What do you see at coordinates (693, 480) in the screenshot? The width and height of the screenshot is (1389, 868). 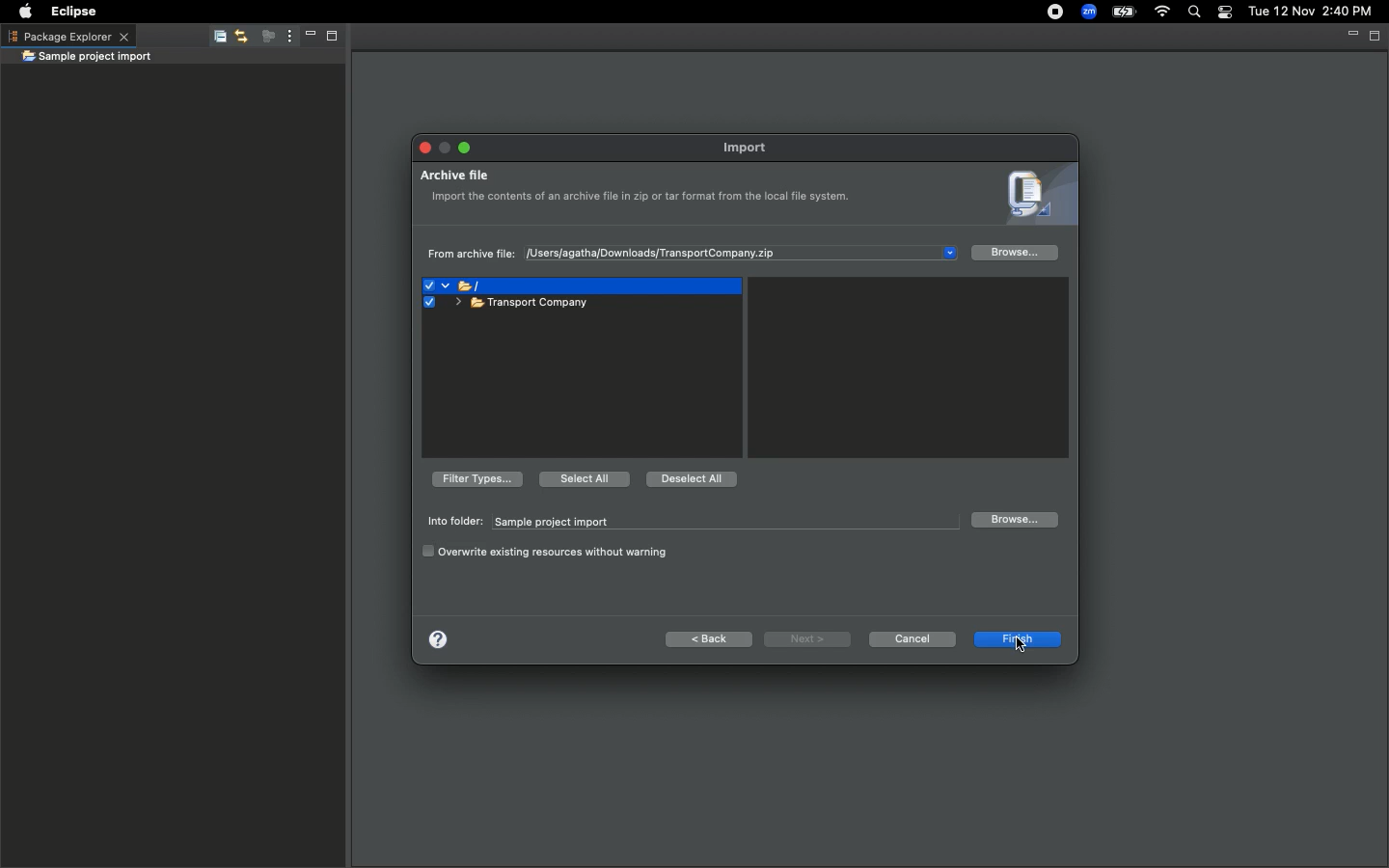 I see `Deselect all` at bounding box center [693, 480].